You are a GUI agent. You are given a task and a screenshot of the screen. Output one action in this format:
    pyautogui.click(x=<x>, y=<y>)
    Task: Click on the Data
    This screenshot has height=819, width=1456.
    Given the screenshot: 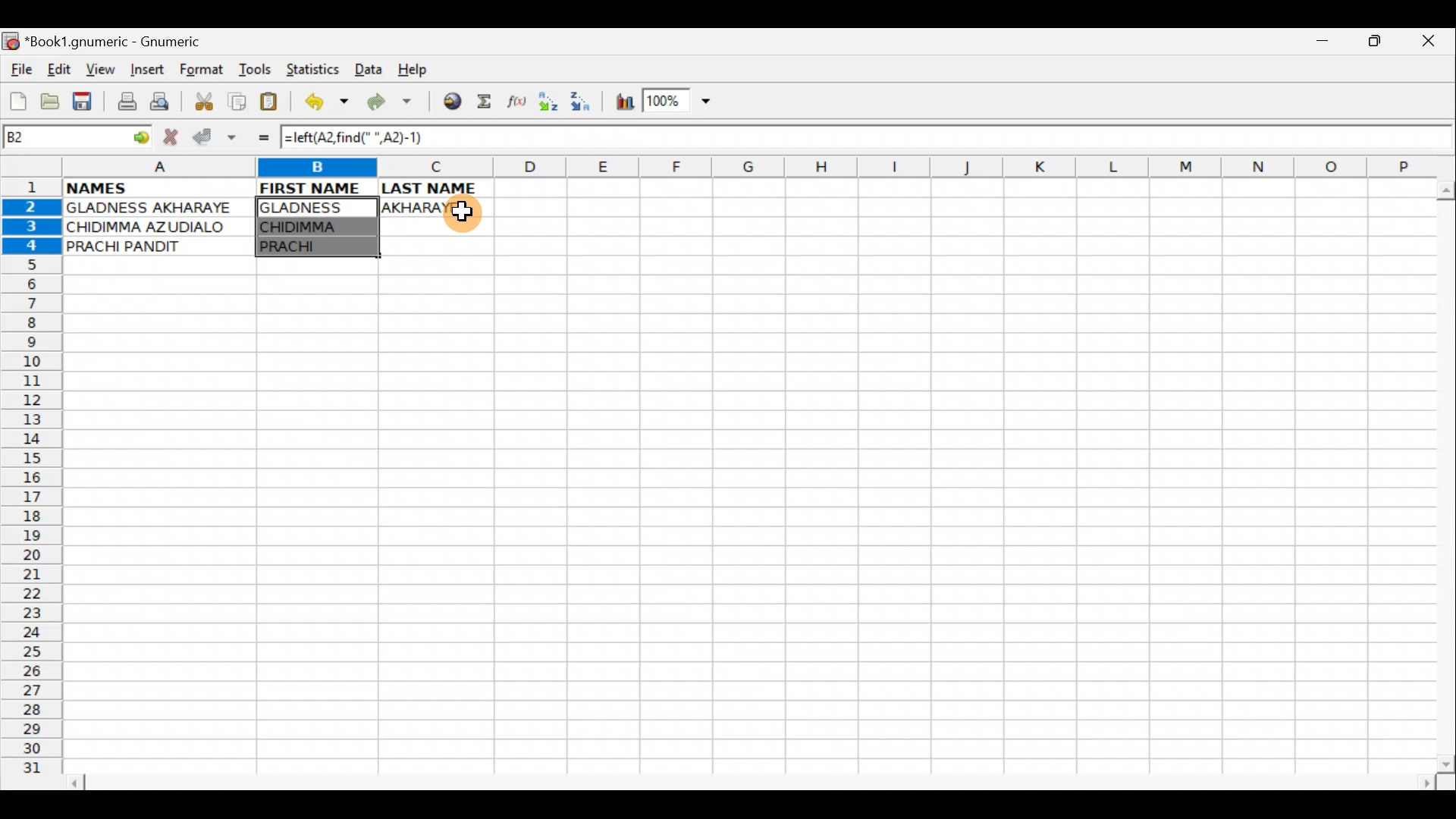 What is the action you would take?
    pyautogui.click(x=368, y=68)
    